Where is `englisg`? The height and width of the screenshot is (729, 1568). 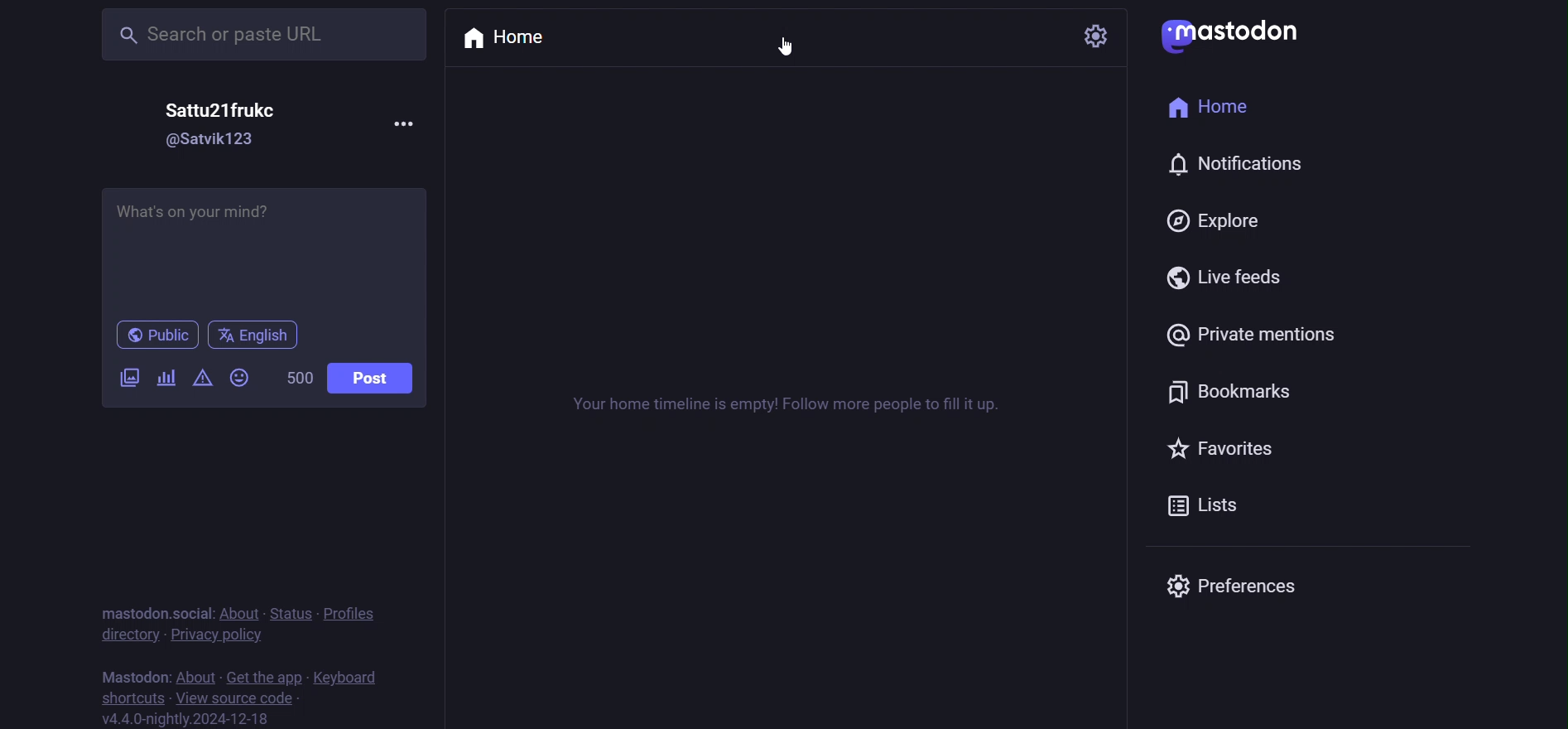 englisg is located at coordinates (257, 336).